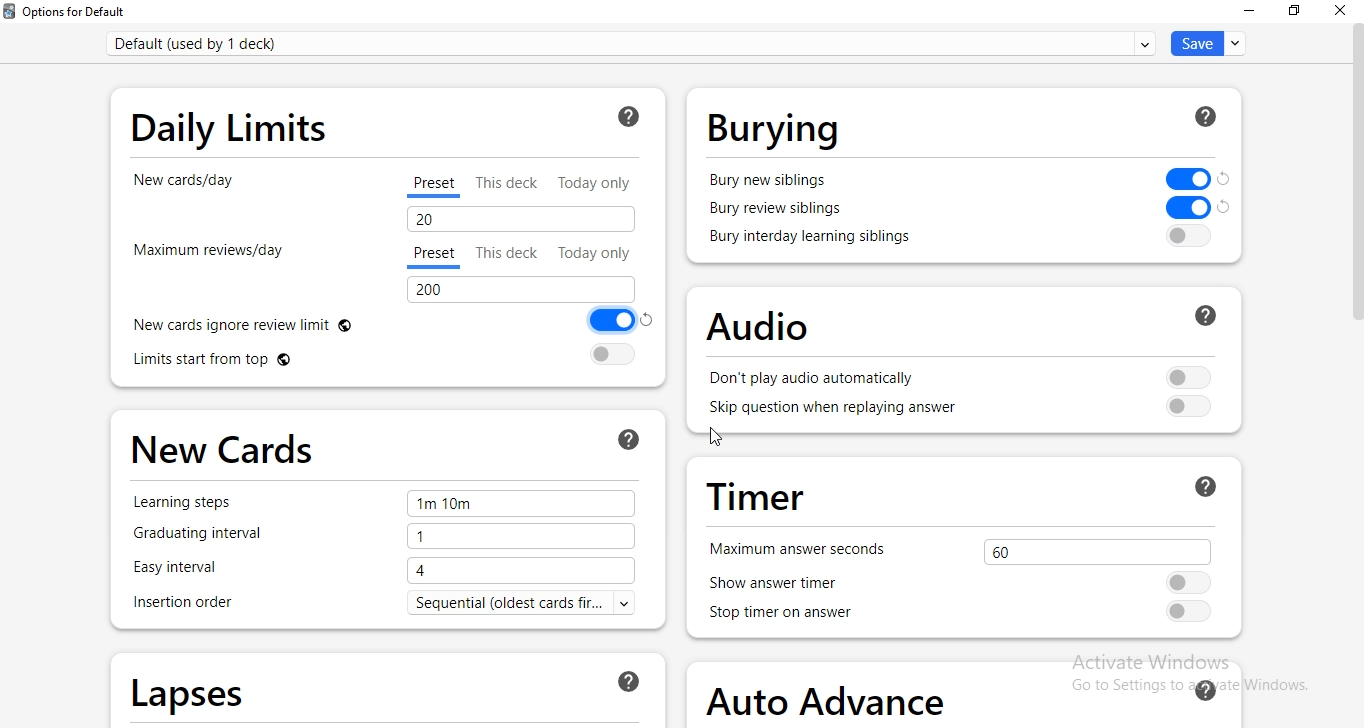 The image size is (1364, 728). What do you see at coordinates (512, 183) in the screenshot?
I see `this deck` at bounding box center [512, 183].